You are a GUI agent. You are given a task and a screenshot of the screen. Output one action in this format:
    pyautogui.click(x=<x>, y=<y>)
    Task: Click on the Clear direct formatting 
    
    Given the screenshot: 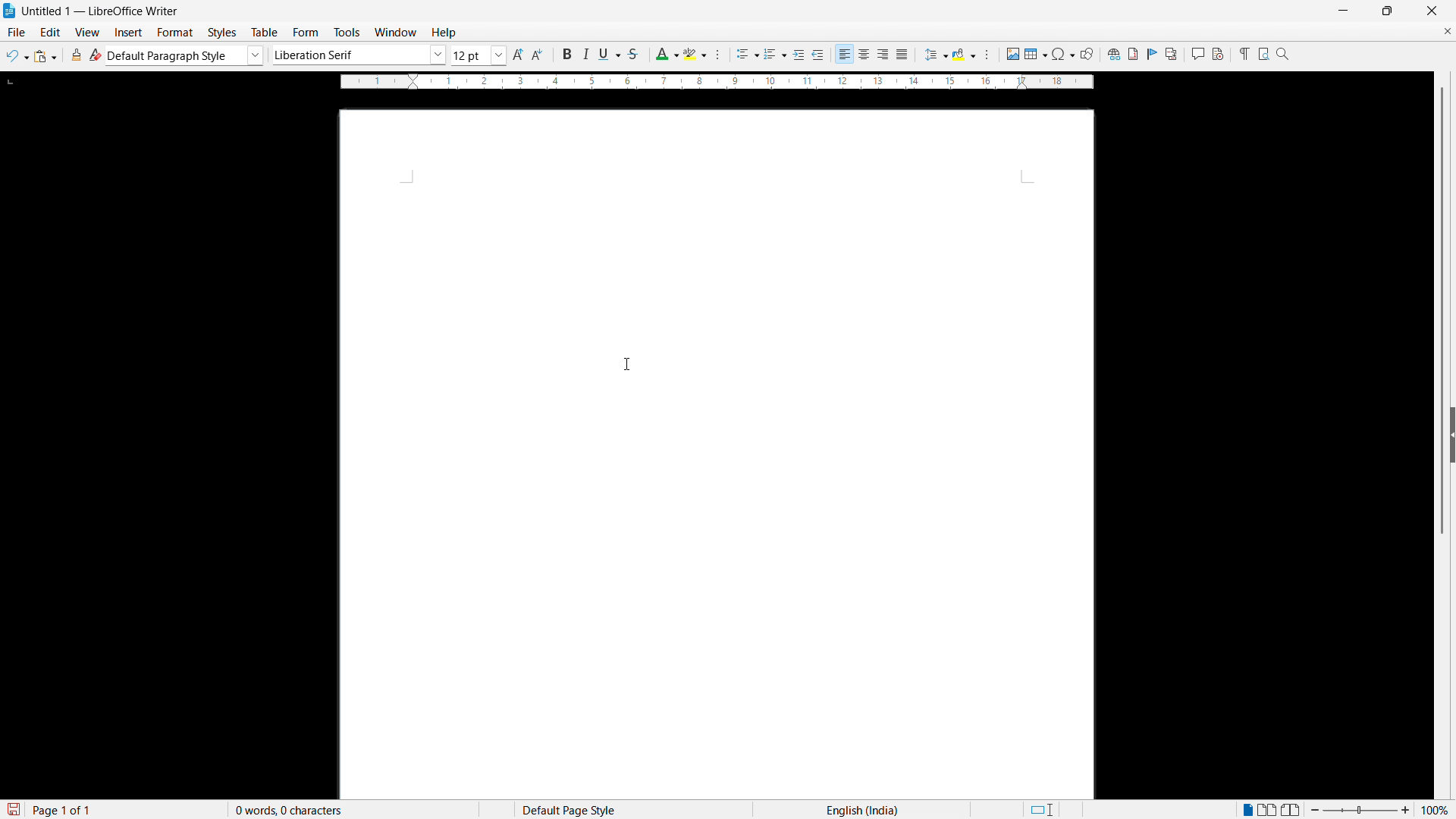 What is the action you would take?
    pyautogui.click(x=96, y=55)
    